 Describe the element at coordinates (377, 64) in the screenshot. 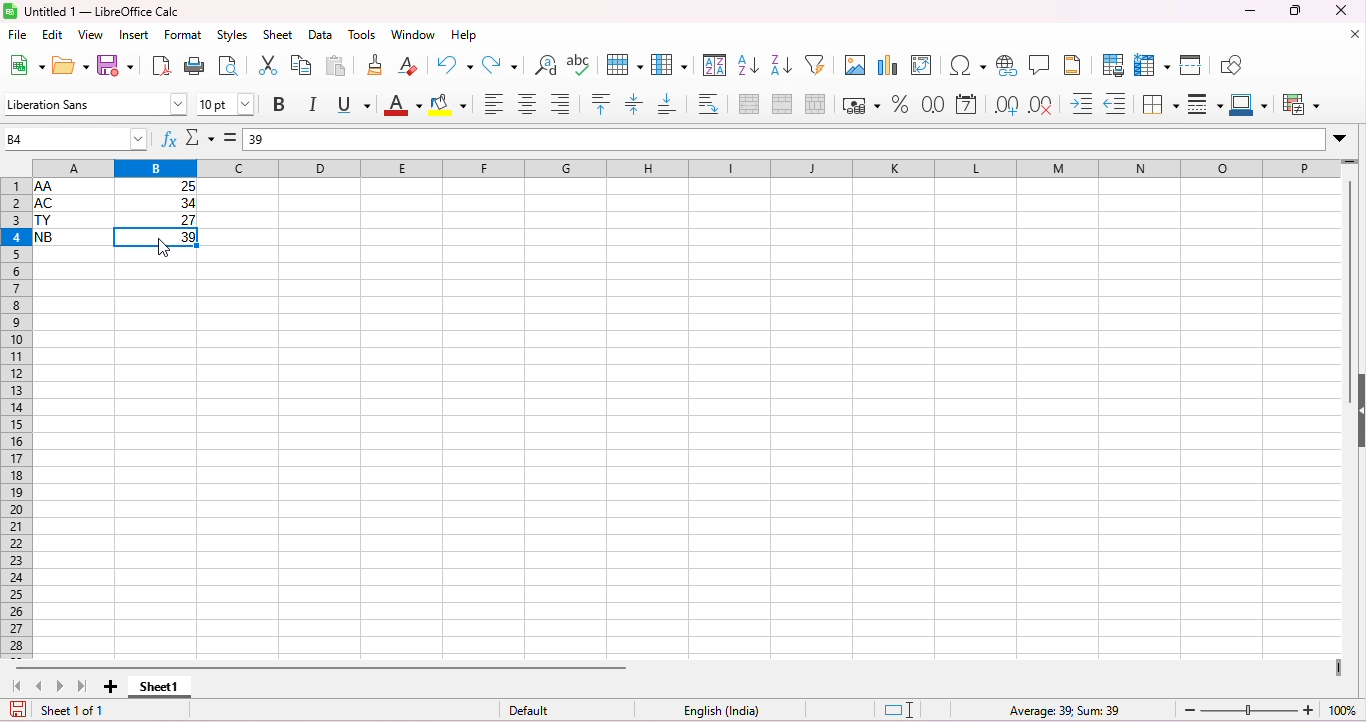

I see `clone` at that location.